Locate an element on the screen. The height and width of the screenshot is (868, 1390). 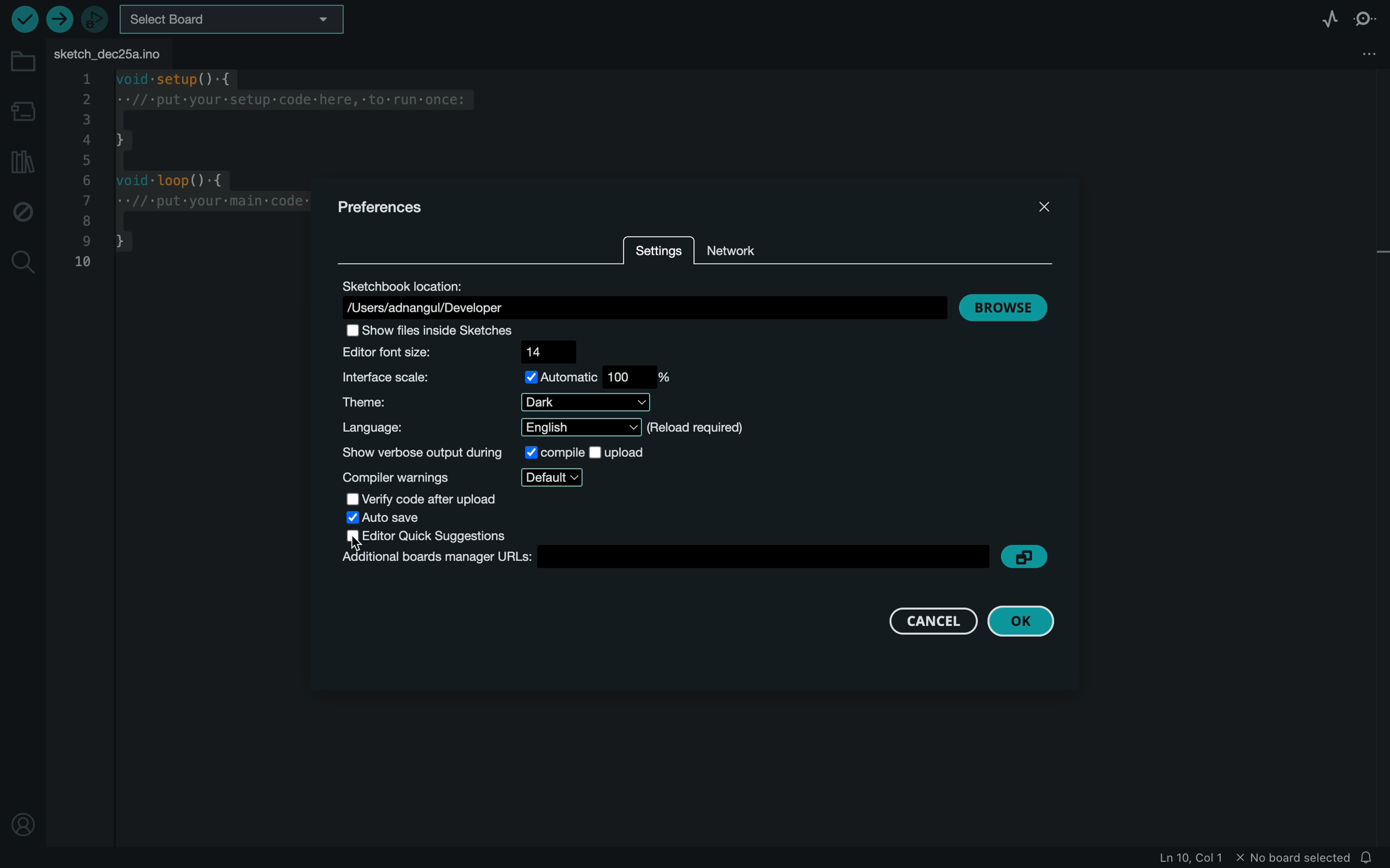
location  is located at coordinates (640, 296).